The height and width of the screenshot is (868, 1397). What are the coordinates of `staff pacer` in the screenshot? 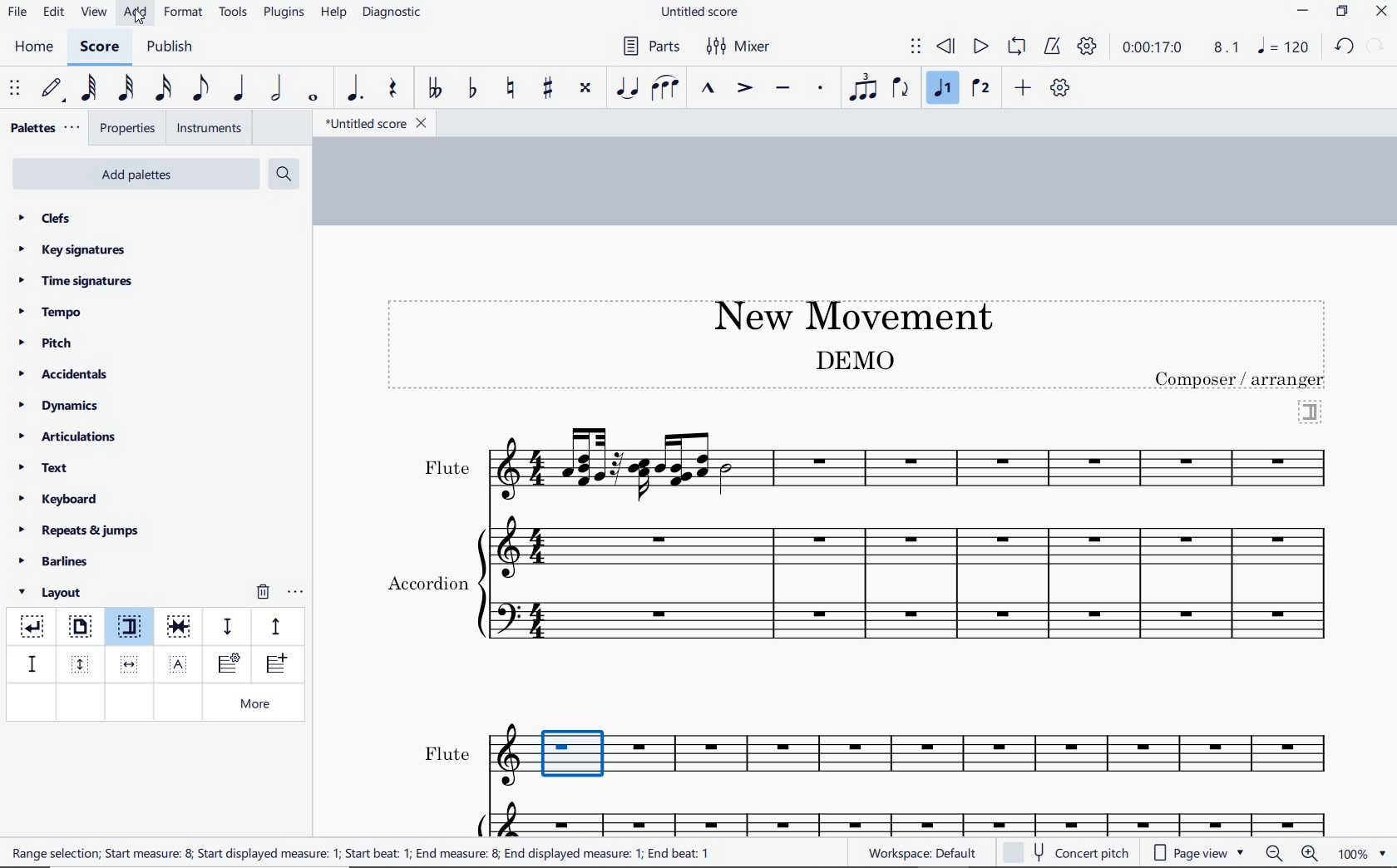 It's located at (274, 625).